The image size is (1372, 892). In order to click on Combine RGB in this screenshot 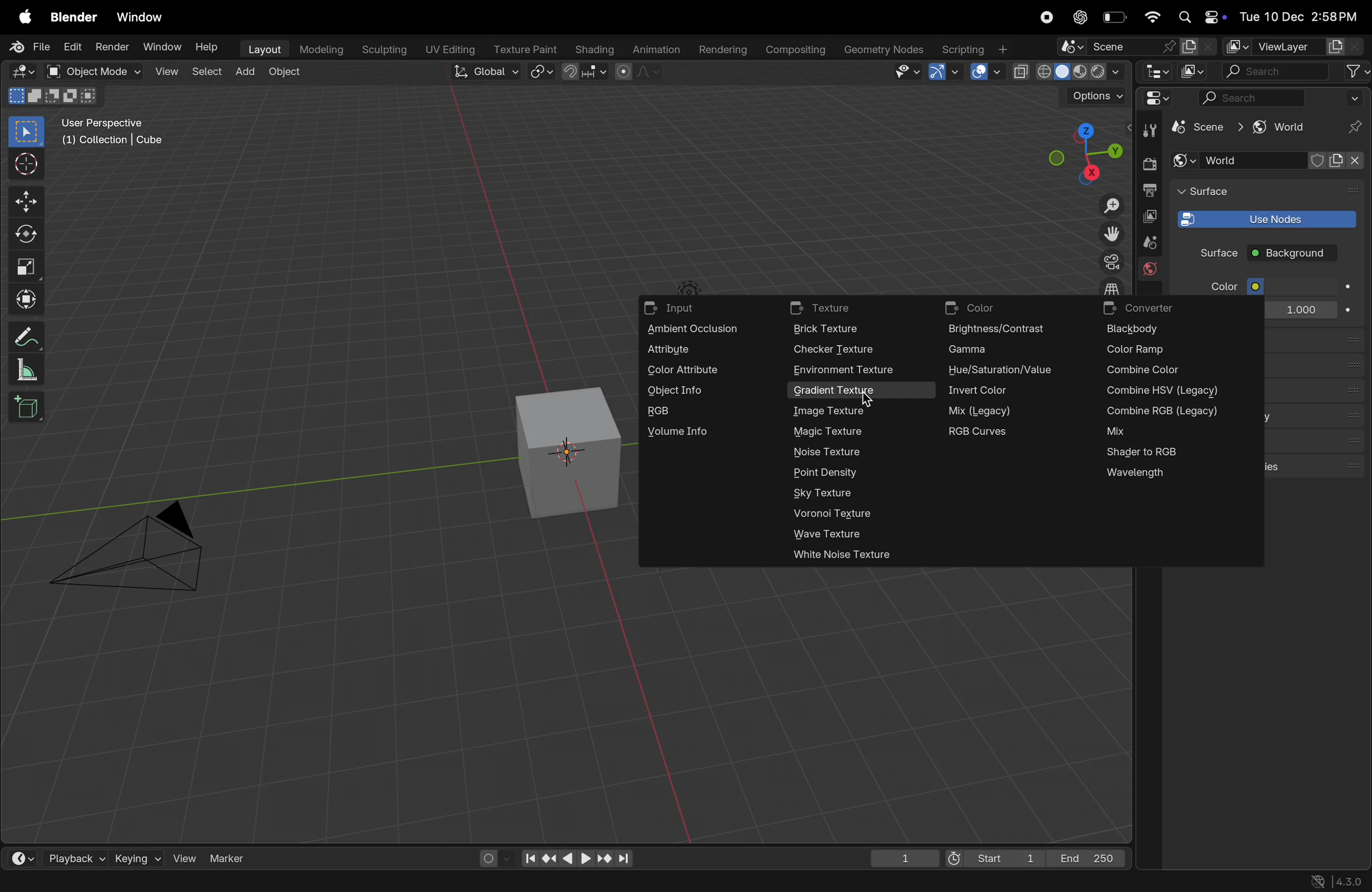, I will do `click(1167, 411)`.